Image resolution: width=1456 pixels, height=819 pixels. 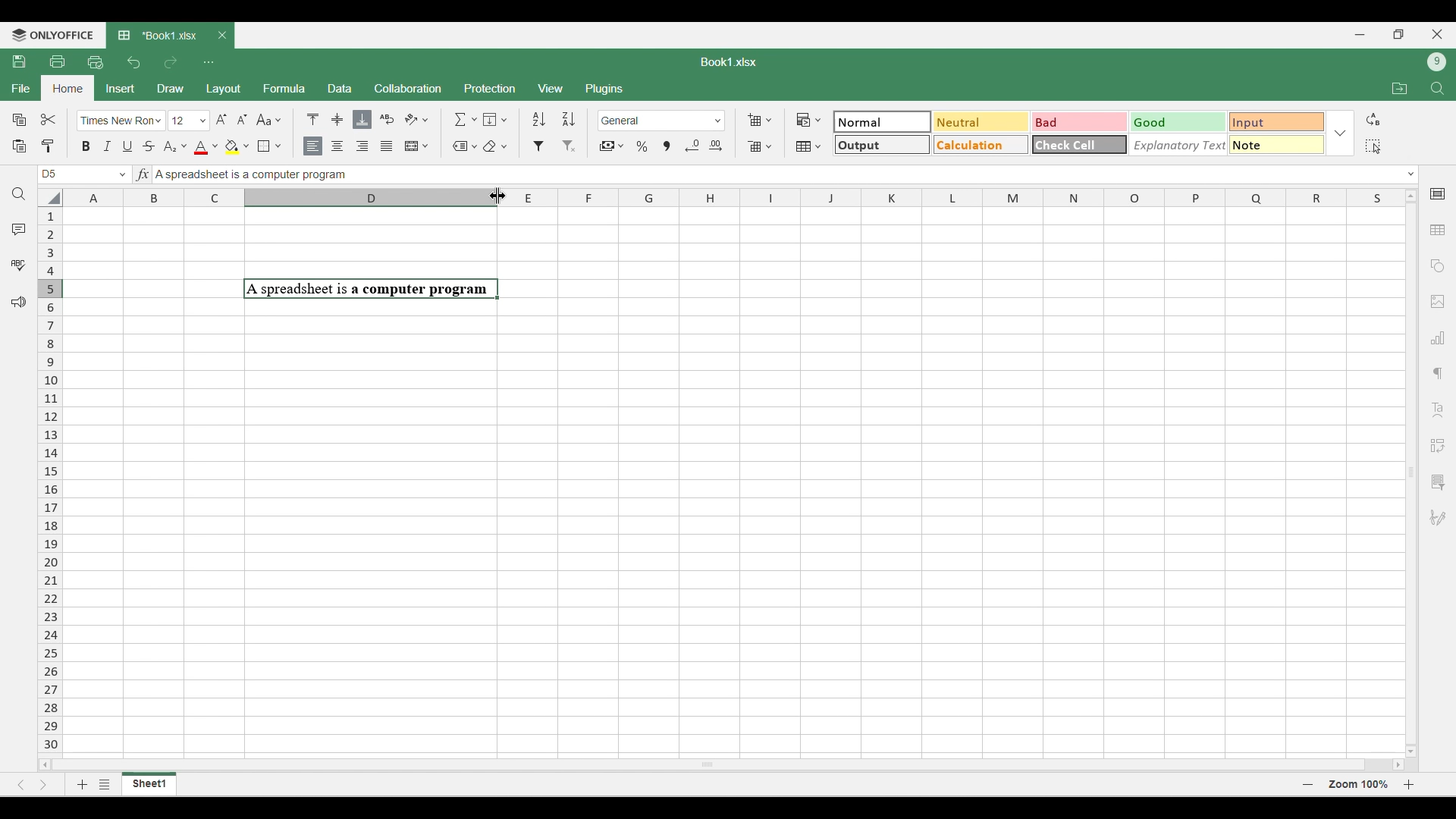 I want to click on Open file location, so click(x=1400, y=88).